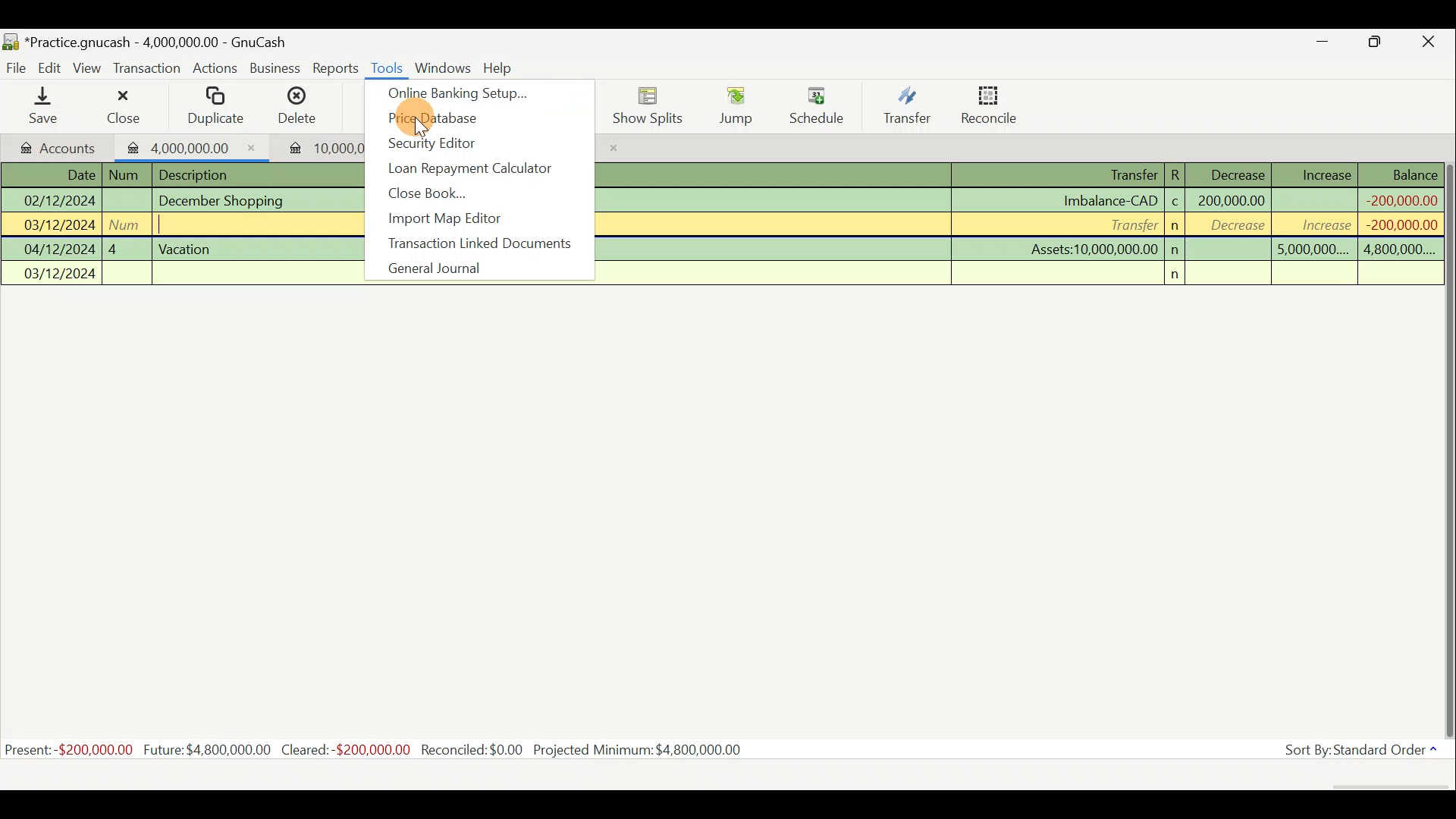  What do you see at coordinates (504, 70) in the screenshot?
I see `Help` at bounding box center [504, 70].